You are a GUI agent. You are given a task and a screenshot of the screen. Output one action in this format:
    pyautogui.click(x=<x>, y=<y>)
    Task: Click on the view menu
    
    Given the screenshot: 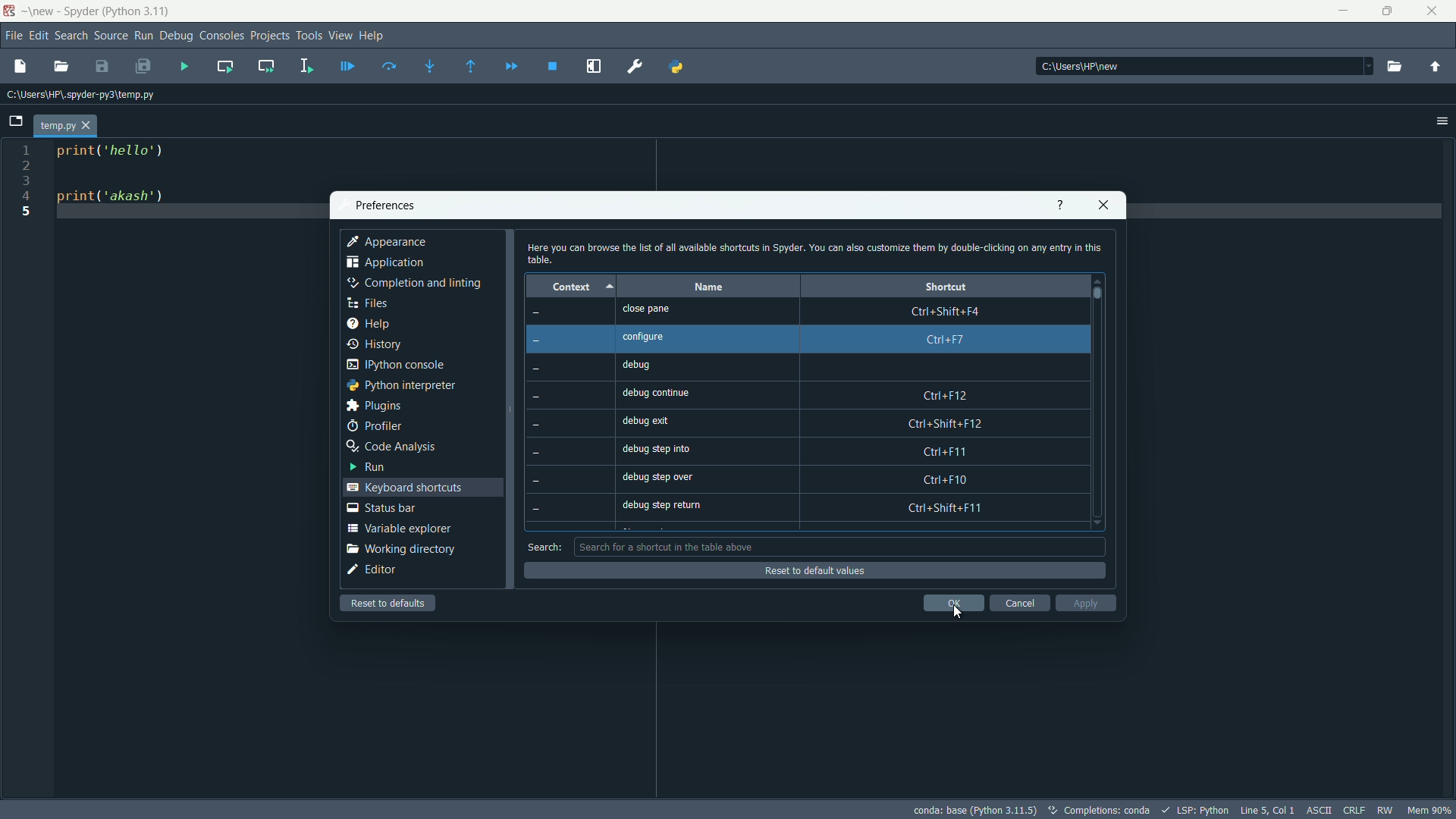 What is the action you would take?
    pyautogui.click(x=340, y=36)
    